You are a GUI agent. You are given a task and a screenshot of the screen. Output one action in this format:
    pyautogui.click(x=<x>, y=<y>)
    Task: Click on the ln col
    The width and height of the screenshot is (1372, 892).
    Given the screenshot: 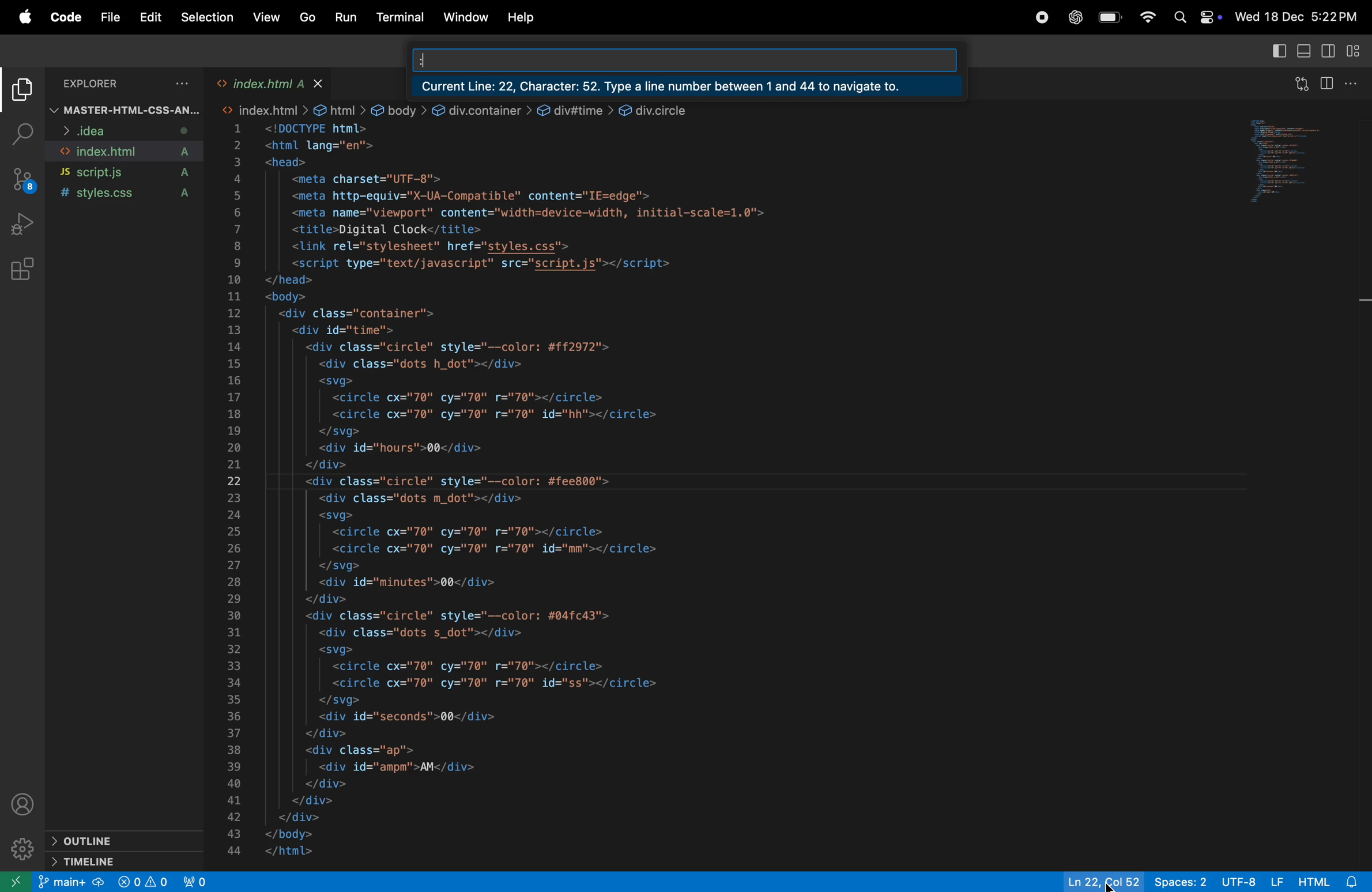 What is the action you would take?
    pyautogui.click(x=1101, y=881)
    